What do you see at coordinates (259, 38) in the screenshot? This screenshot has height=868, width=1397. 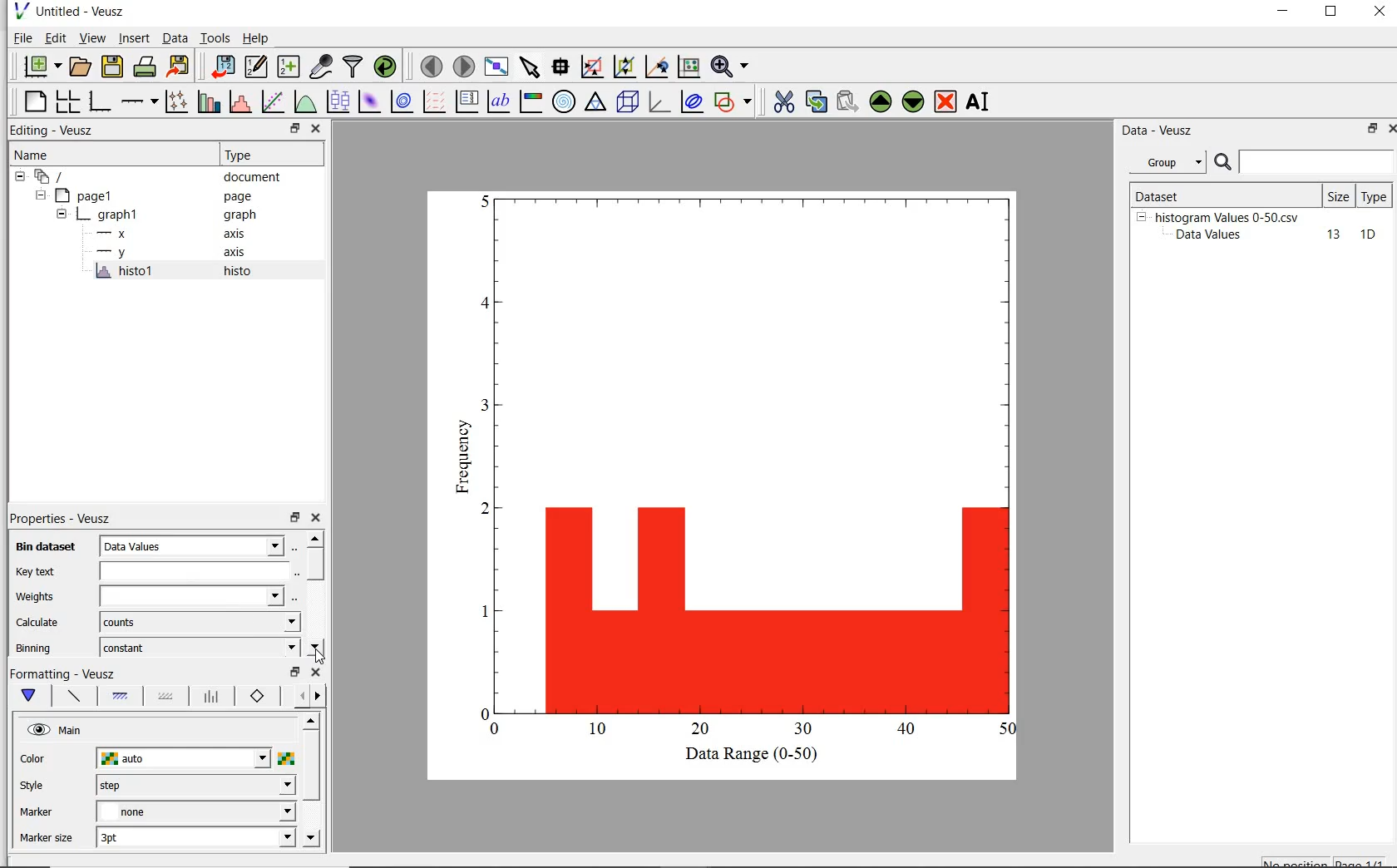 I see `help` at bounding box center [259, 38].